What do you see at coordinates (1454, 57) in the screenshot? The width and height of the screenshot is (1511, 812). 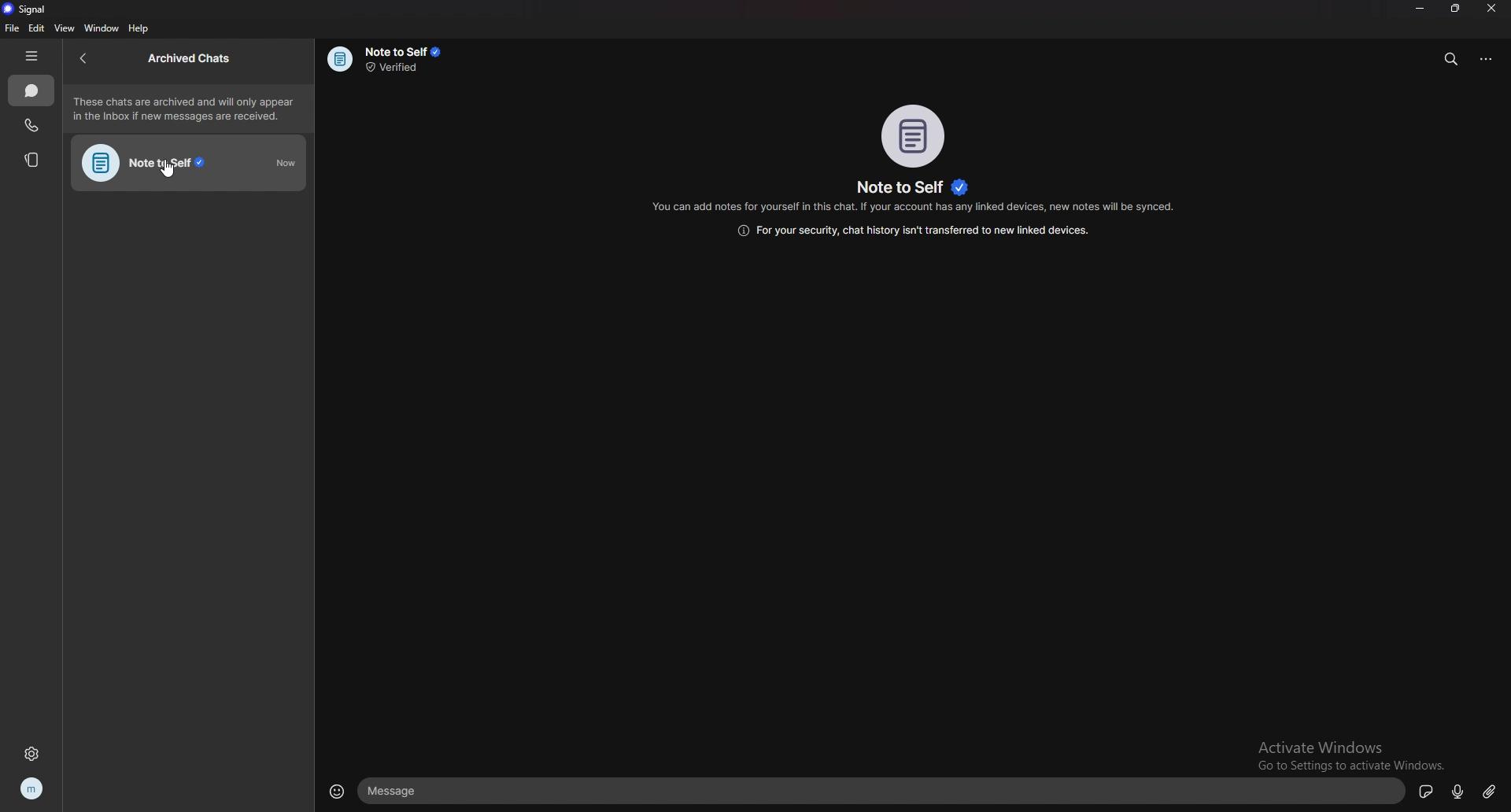 I see `search messages` at bounding box center [1454, 57].